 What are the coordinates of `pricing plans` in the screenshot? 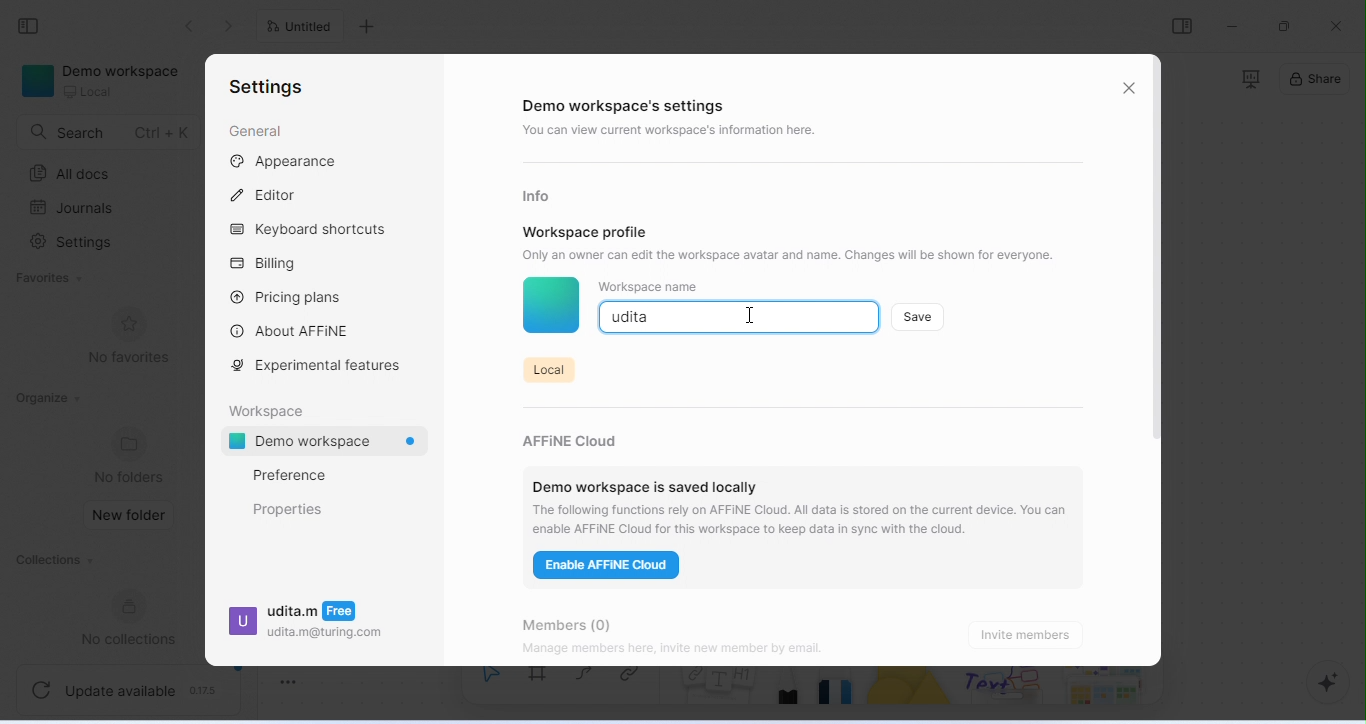 It's located at (287, 296).